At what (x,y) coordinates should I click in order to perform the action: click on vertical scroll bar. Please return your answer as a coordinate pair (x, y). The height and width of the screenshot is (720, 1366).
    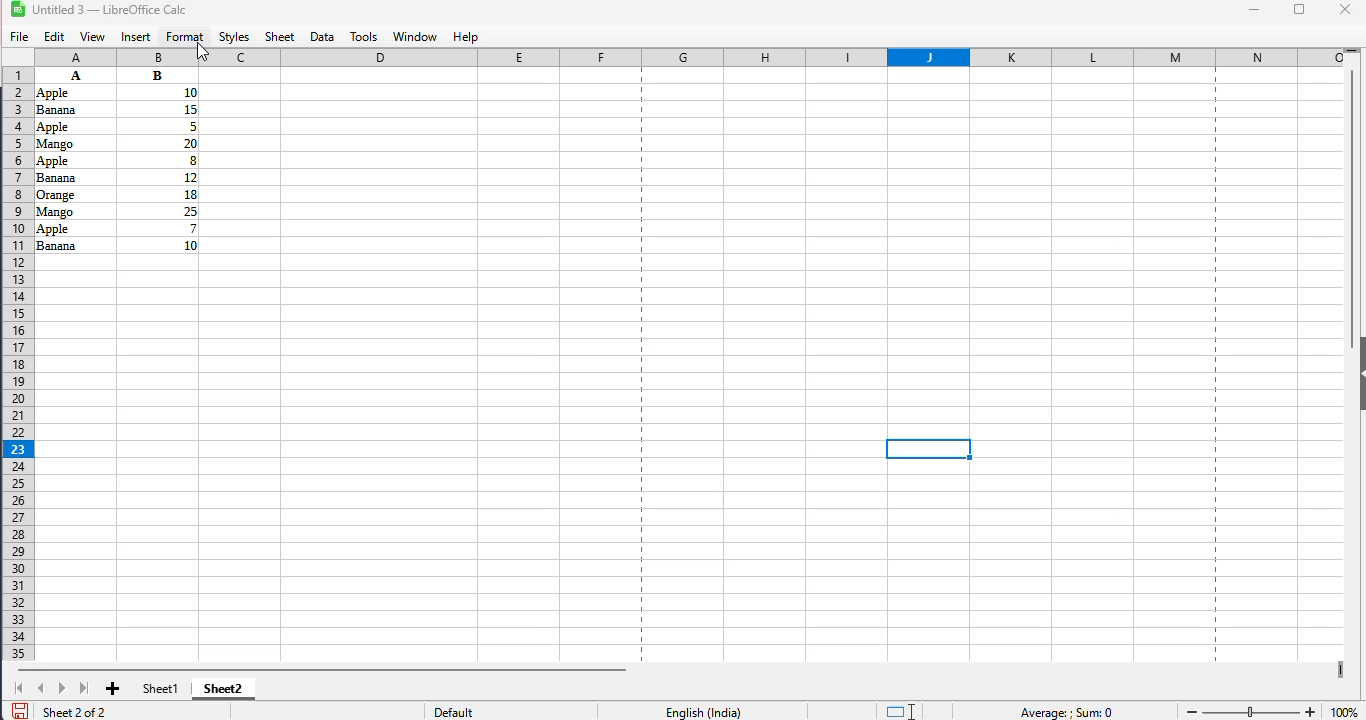
    Looking at the image, I should click on (1352, 209).